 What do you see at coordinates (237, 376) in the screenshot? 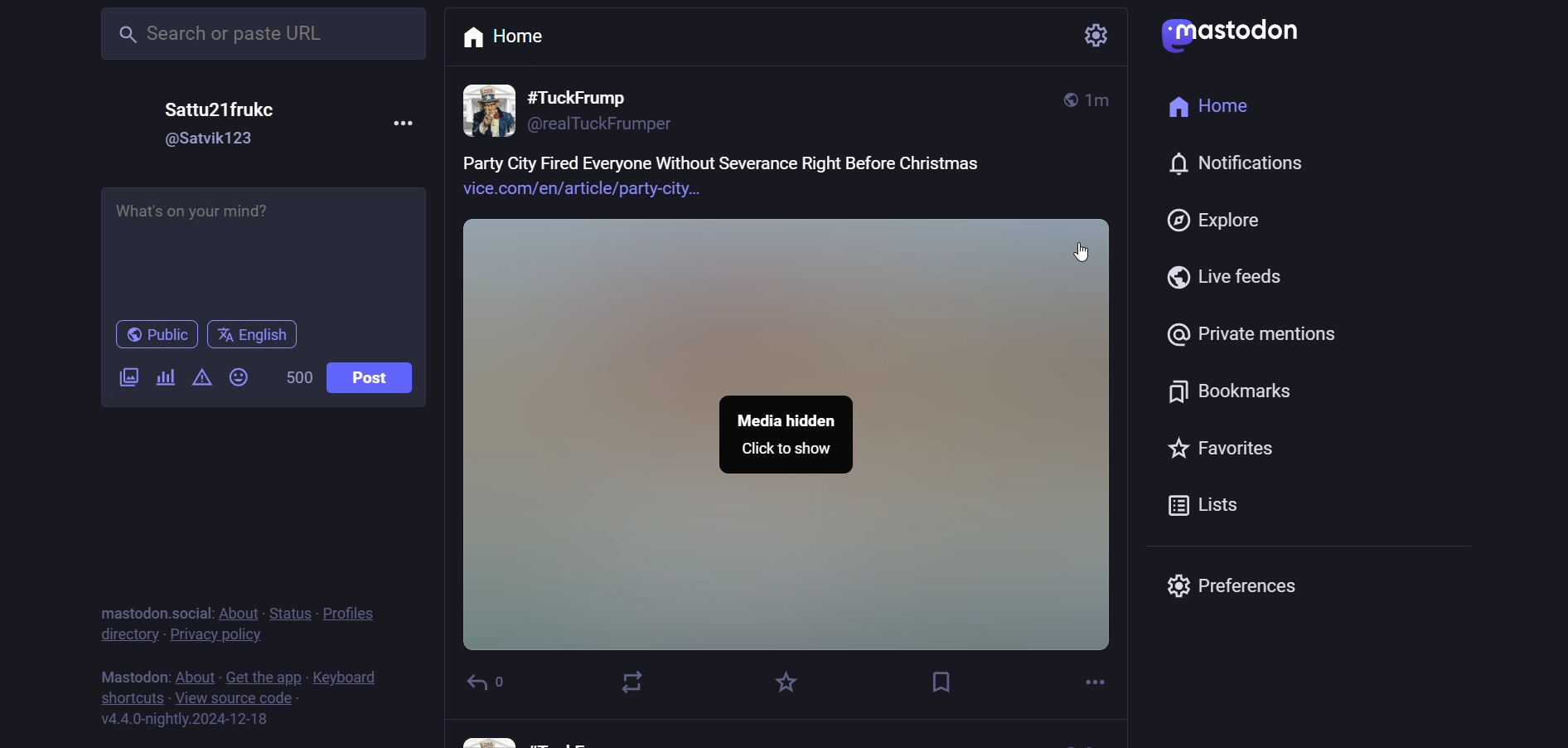
I see `add emoji` at bounding box center [237, 376].